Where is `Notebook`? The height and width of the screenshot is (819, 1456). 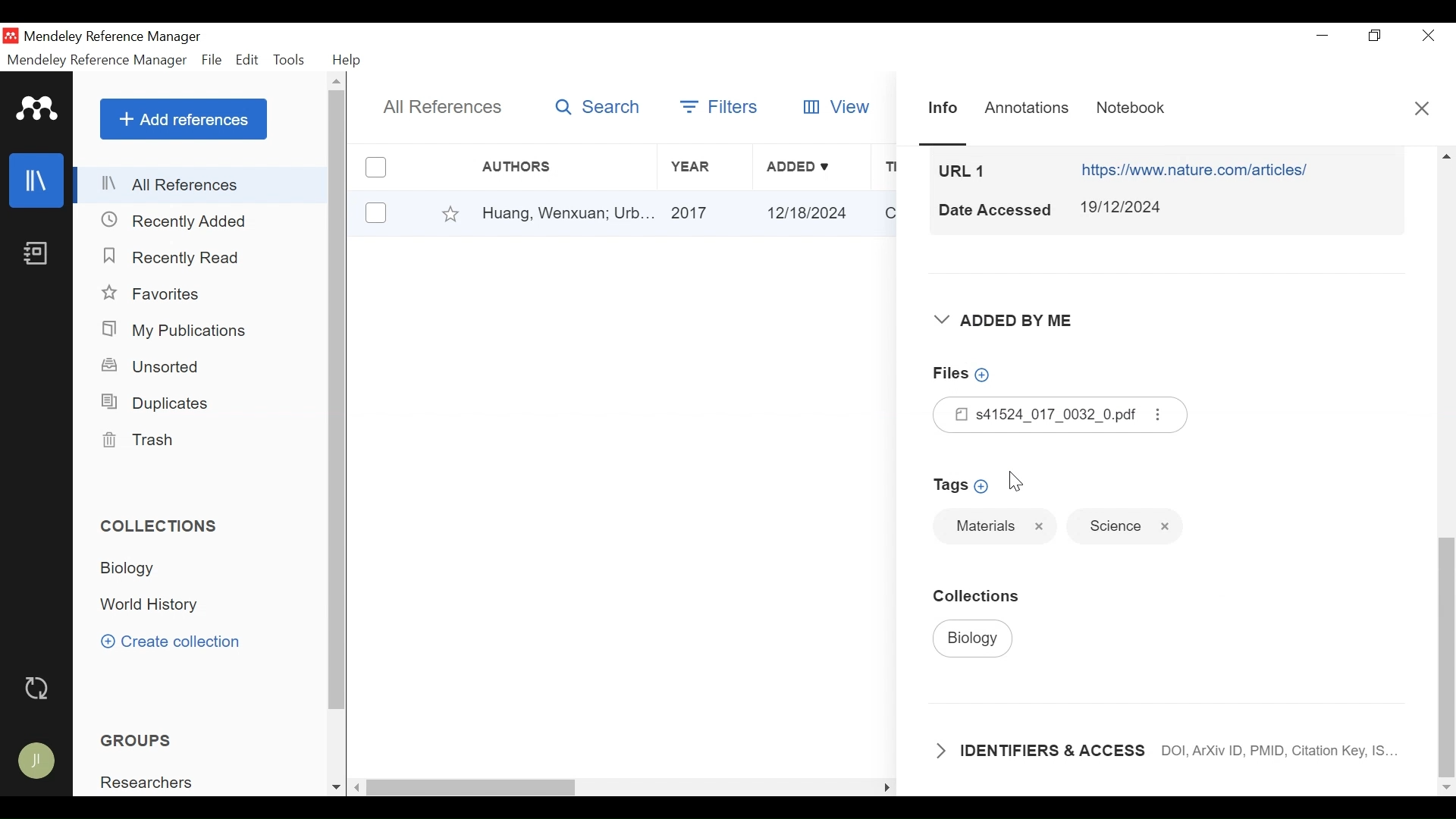
Notebook is located at coordinates (1130, 108).